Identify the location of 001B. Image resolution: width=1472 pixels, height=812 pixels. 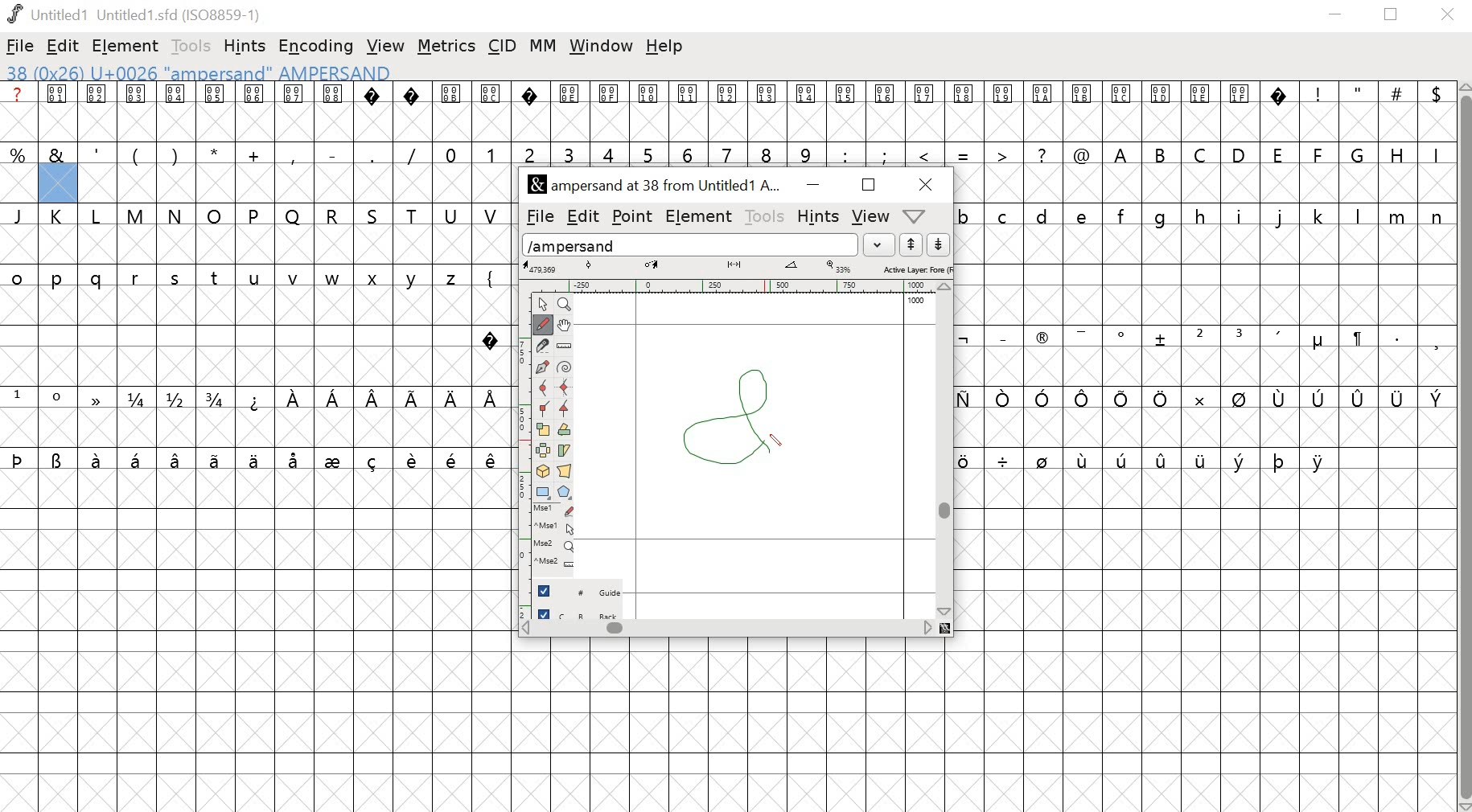
(1079, 111).